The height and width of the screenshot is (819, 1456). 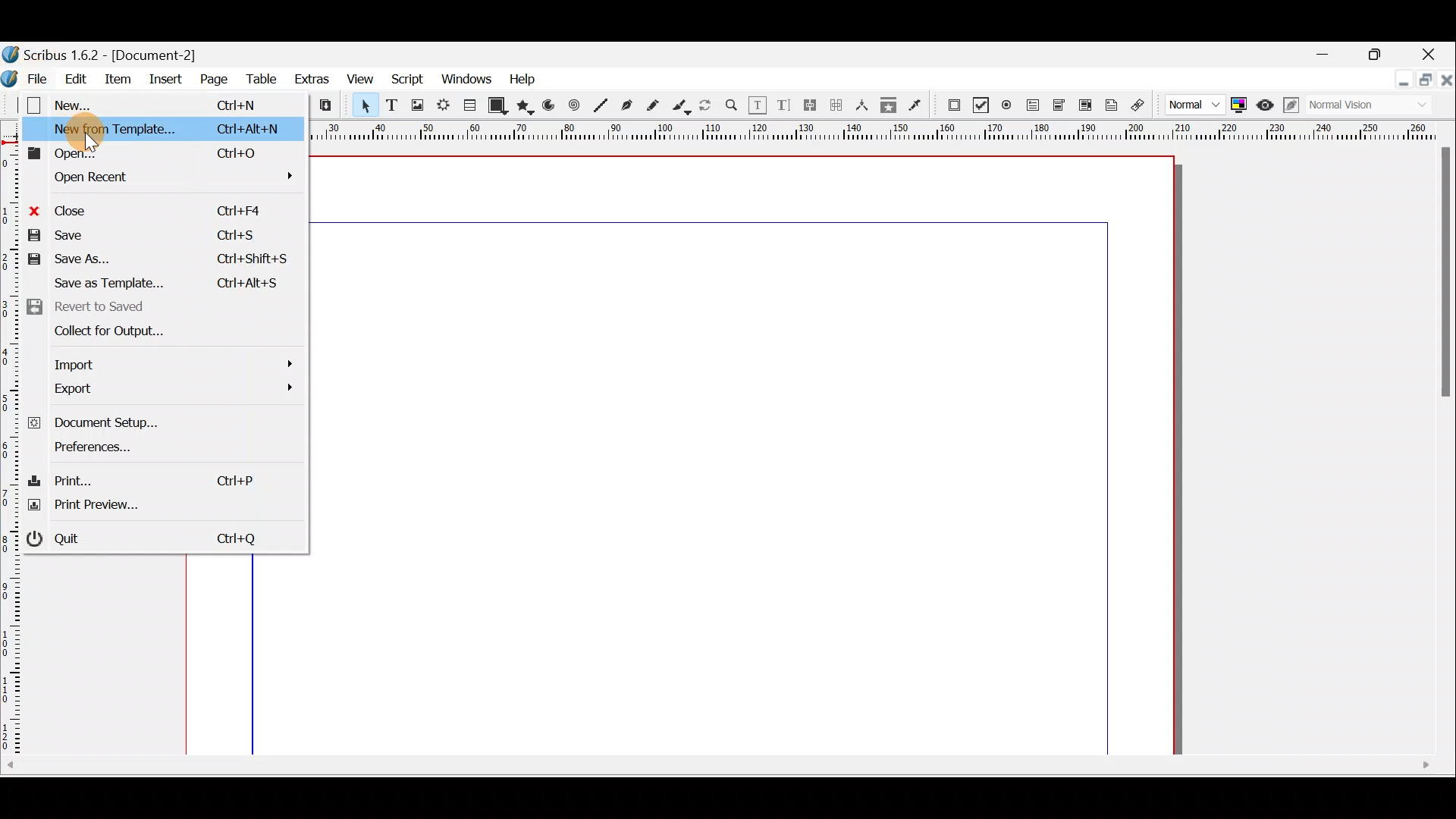 What do you see at coordinates (1007, 104) in the screenshot?
I see `PDF radio button` at bounding box center [1007, 104].